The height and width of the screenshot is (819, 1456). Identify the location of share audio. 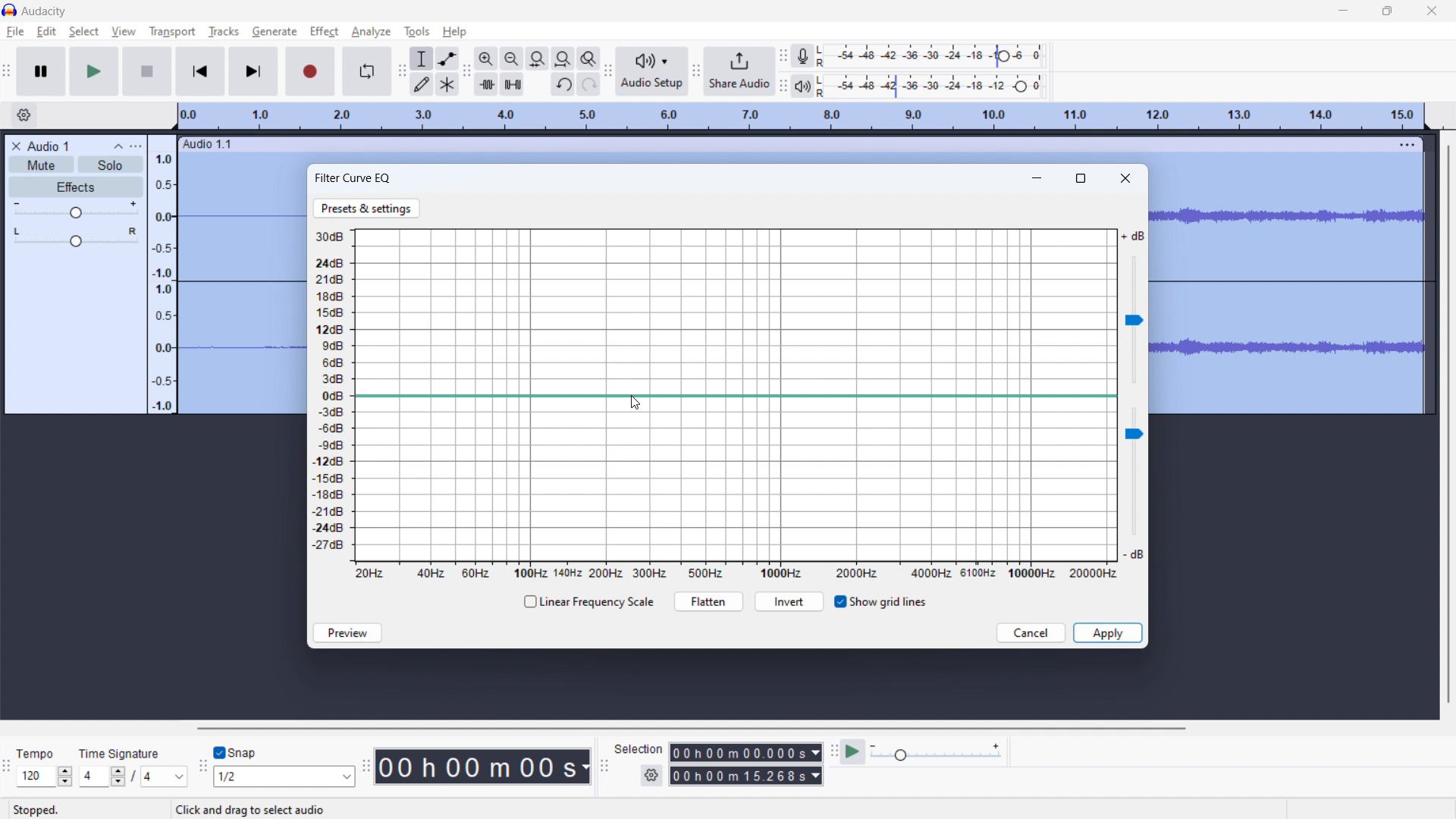
(740, 71).